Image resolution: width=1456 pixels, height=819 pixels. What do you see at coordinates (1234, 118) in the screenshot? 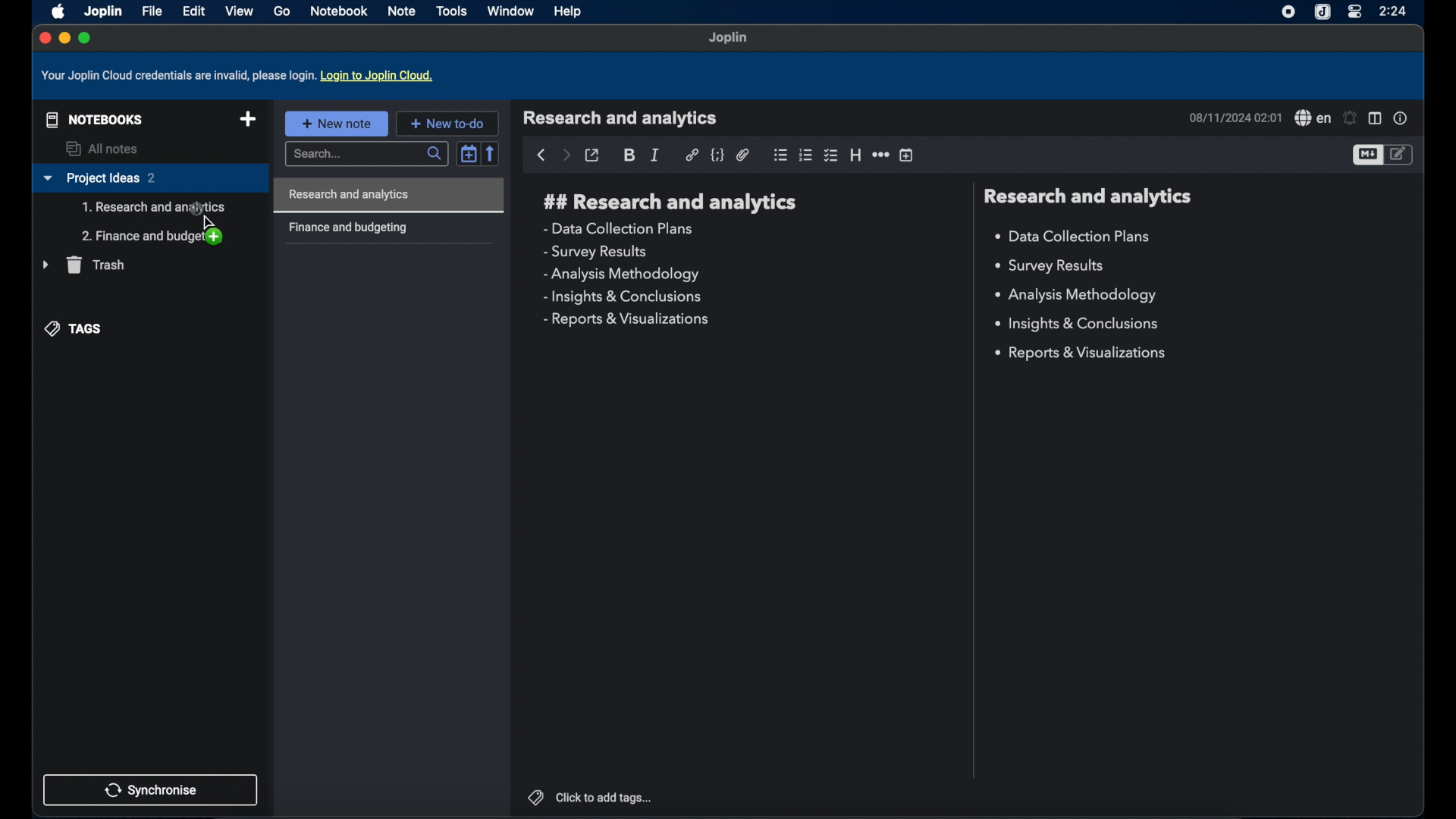
I see `date and time(08/11/2024 02:01)` at bounding box center [1234, 118].